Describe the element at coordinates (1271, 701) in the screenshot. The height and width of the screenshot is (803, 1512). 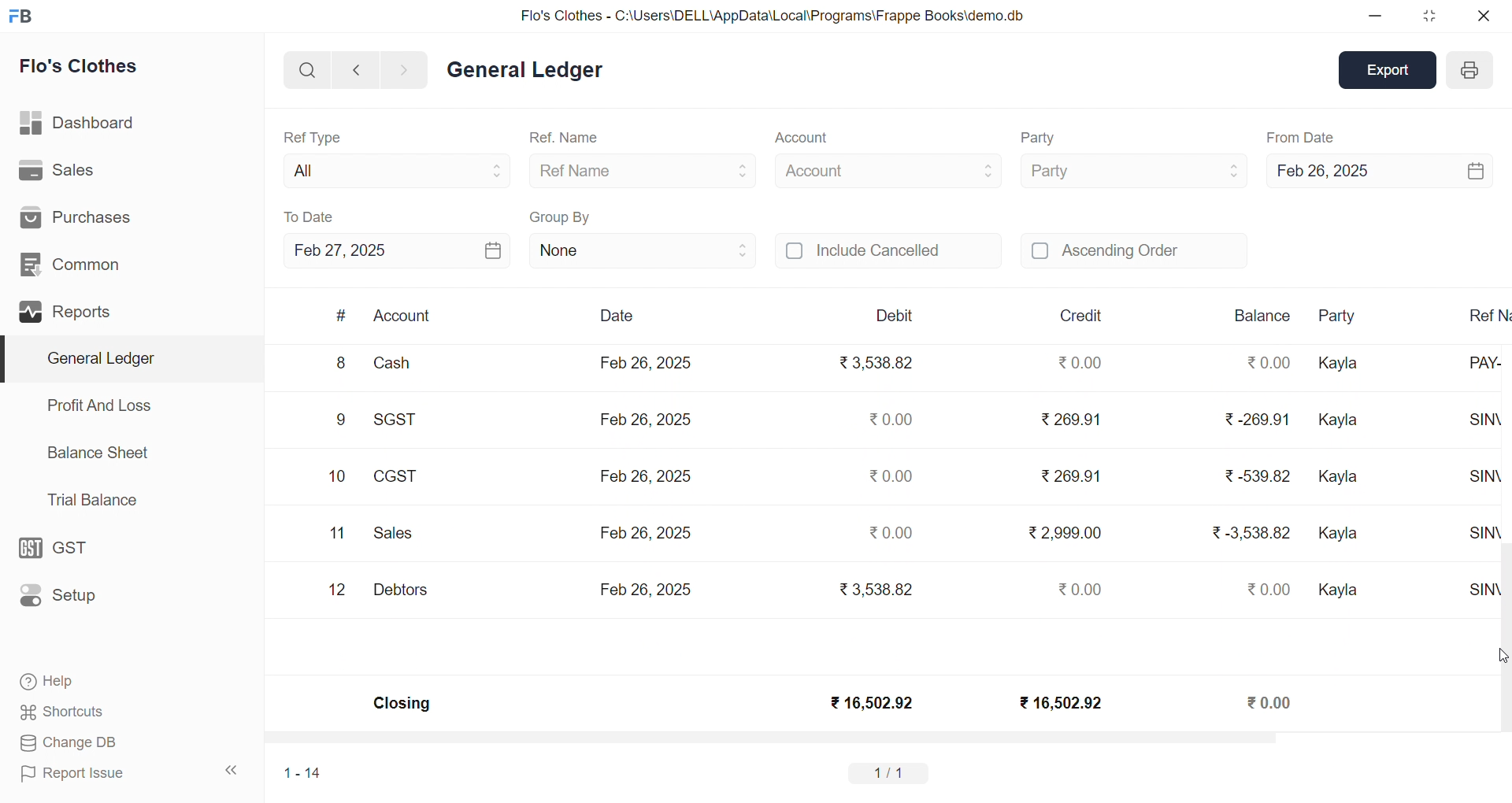
I see `₹ 0.00` at that location.